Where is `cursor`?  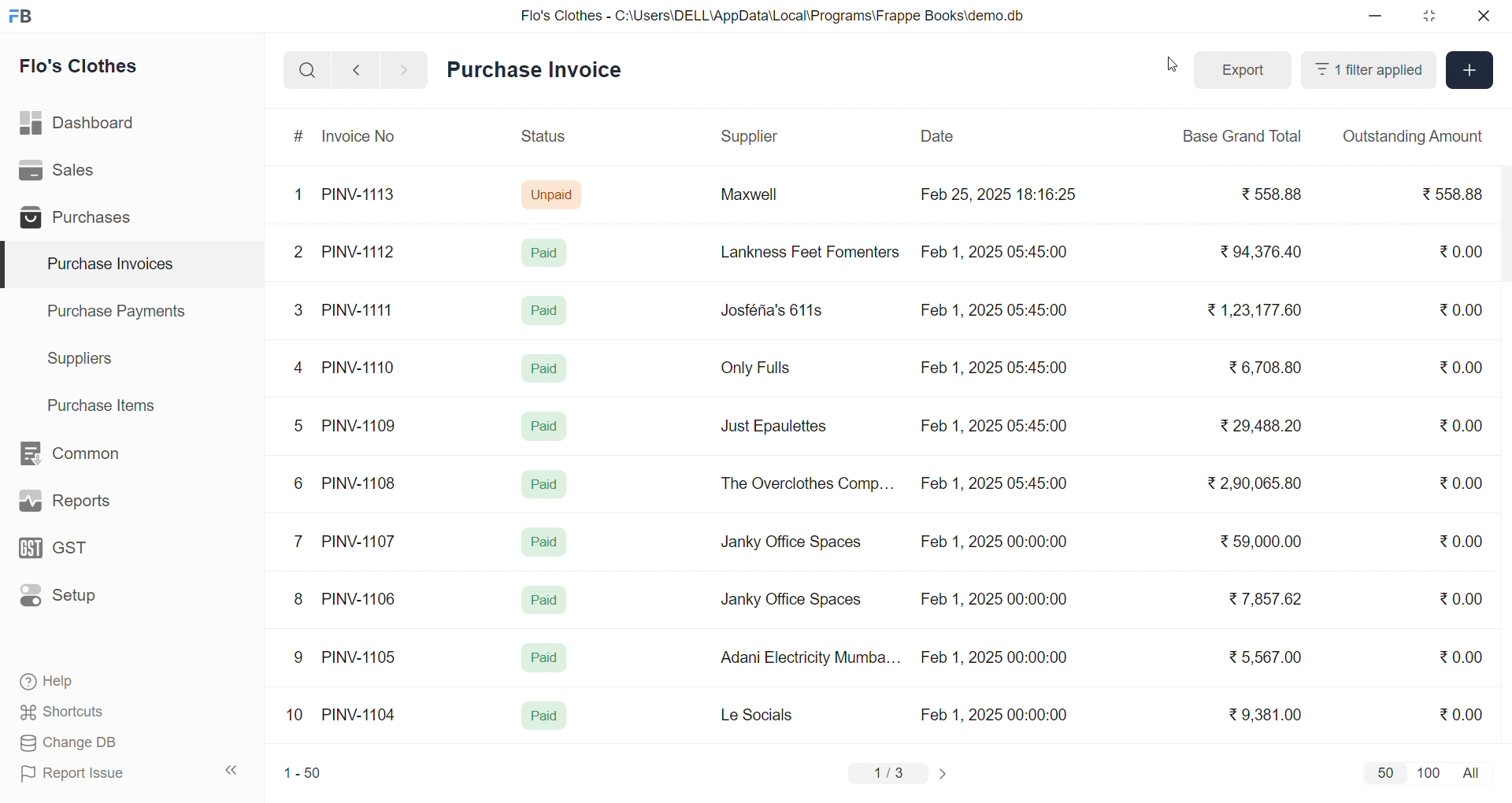
cursor is located at coordinates (1168, 68).